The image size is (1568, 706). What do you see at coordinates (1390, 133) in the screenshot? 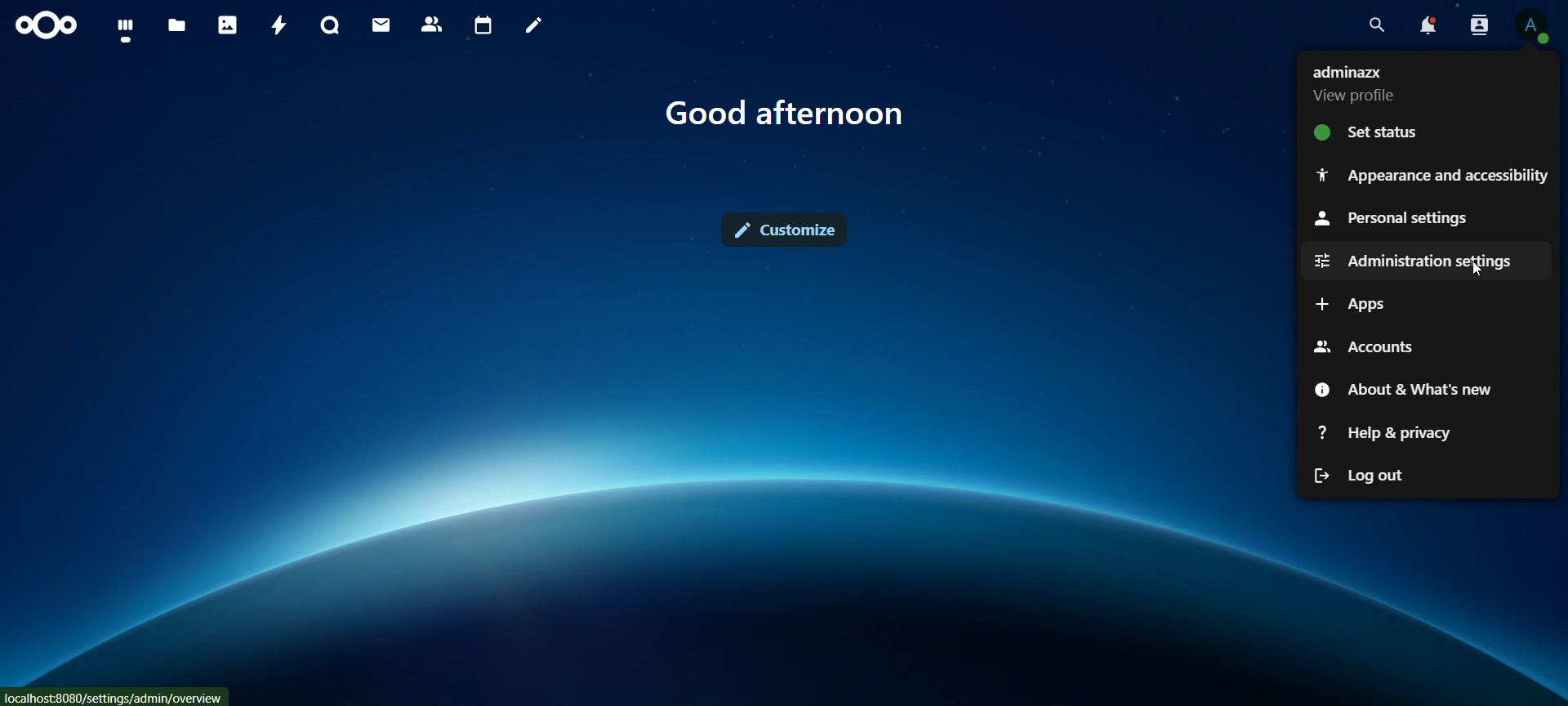
I see `set status` at bounding box center [1390, 133].